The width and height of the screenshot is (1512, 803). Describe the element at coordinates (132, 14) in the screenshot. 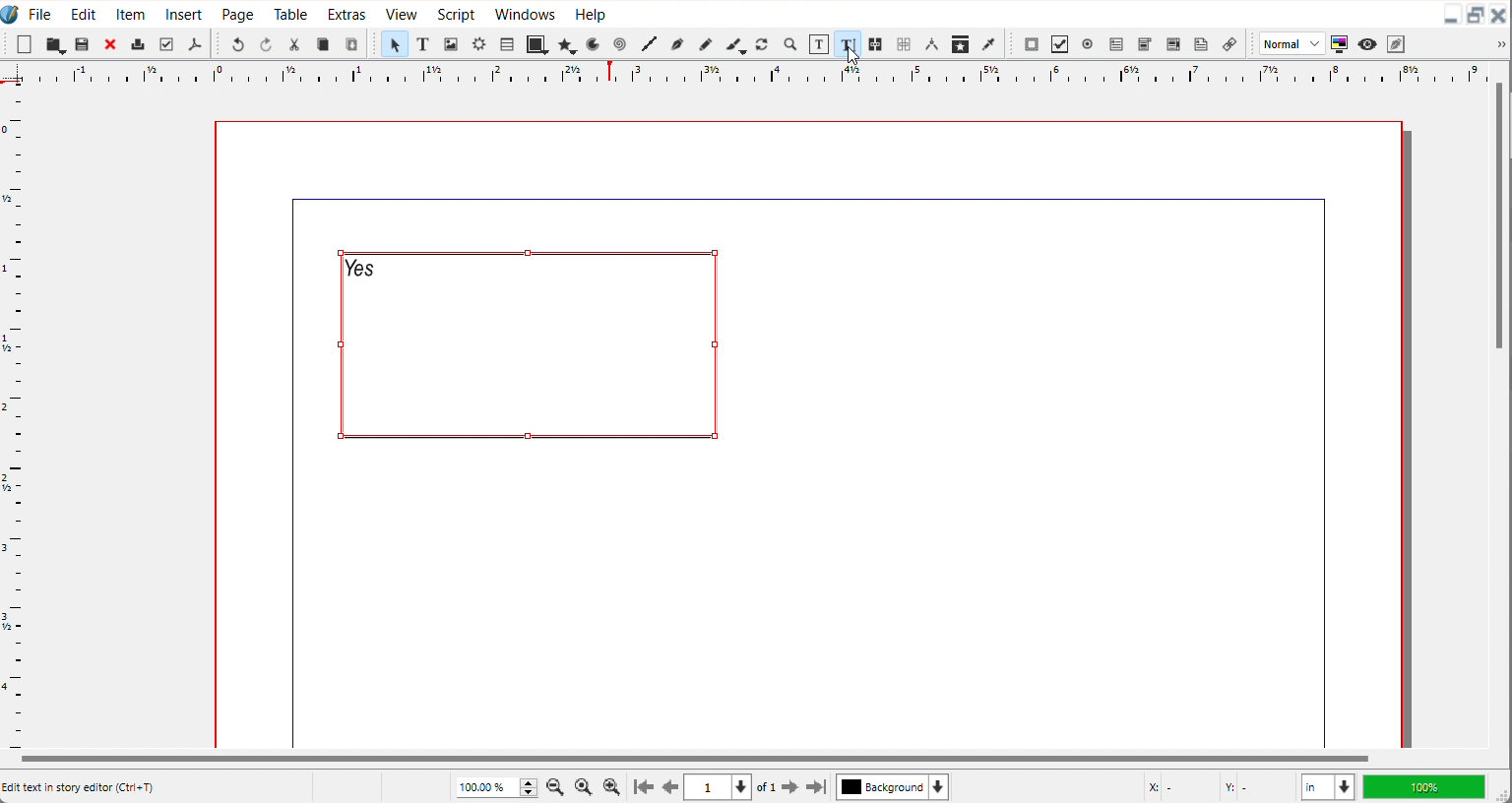

I see `Item` at that location.